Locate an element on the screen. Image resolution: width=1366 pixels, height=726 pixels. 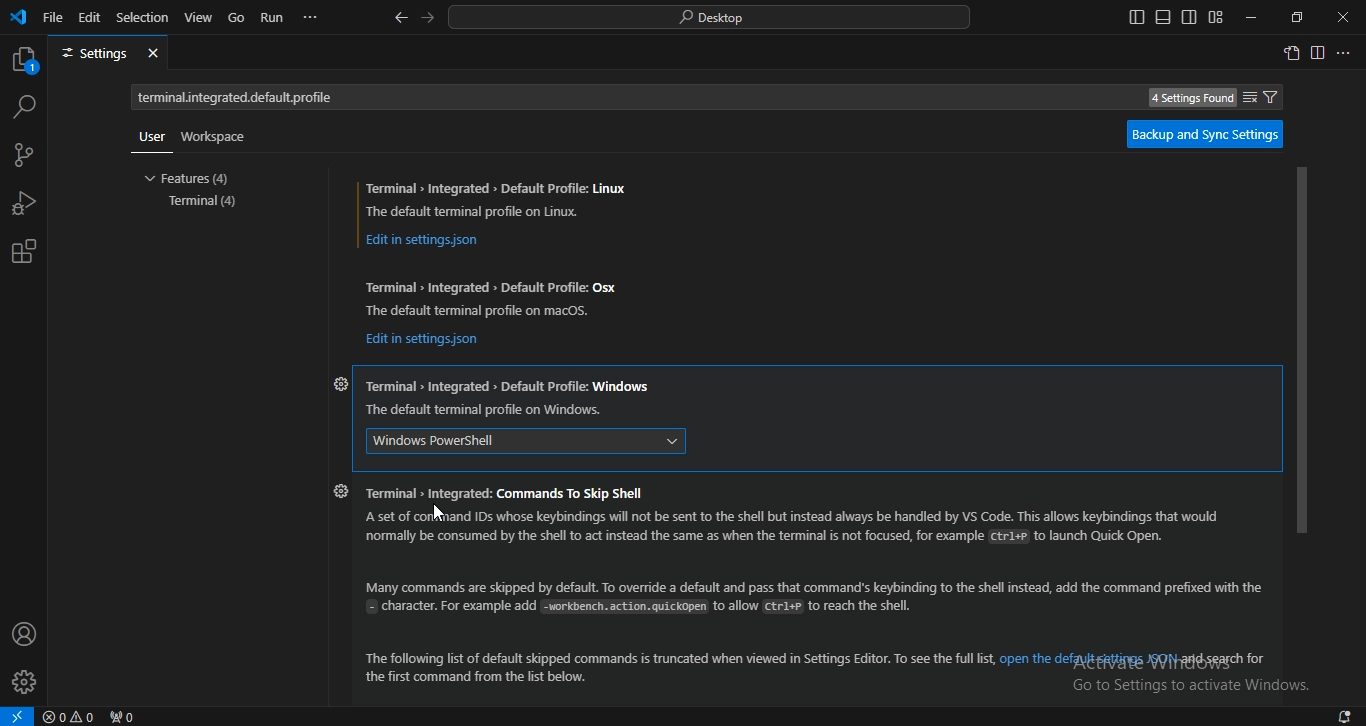
no ports forwarded is located at coordinates (121, 717).